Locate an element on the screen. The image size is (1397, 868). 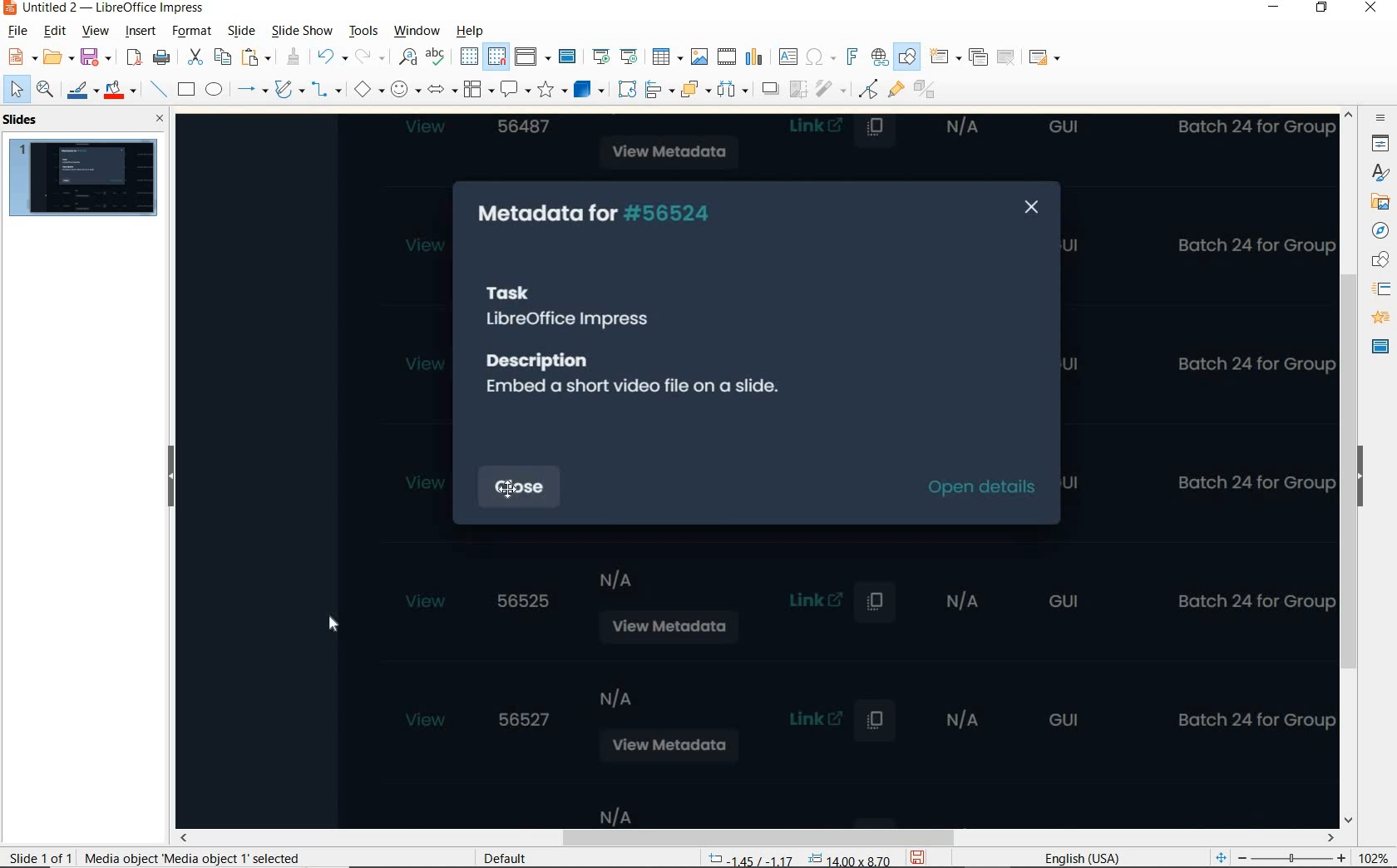
SCROLLBAR is located at coordinates (1347, 466).